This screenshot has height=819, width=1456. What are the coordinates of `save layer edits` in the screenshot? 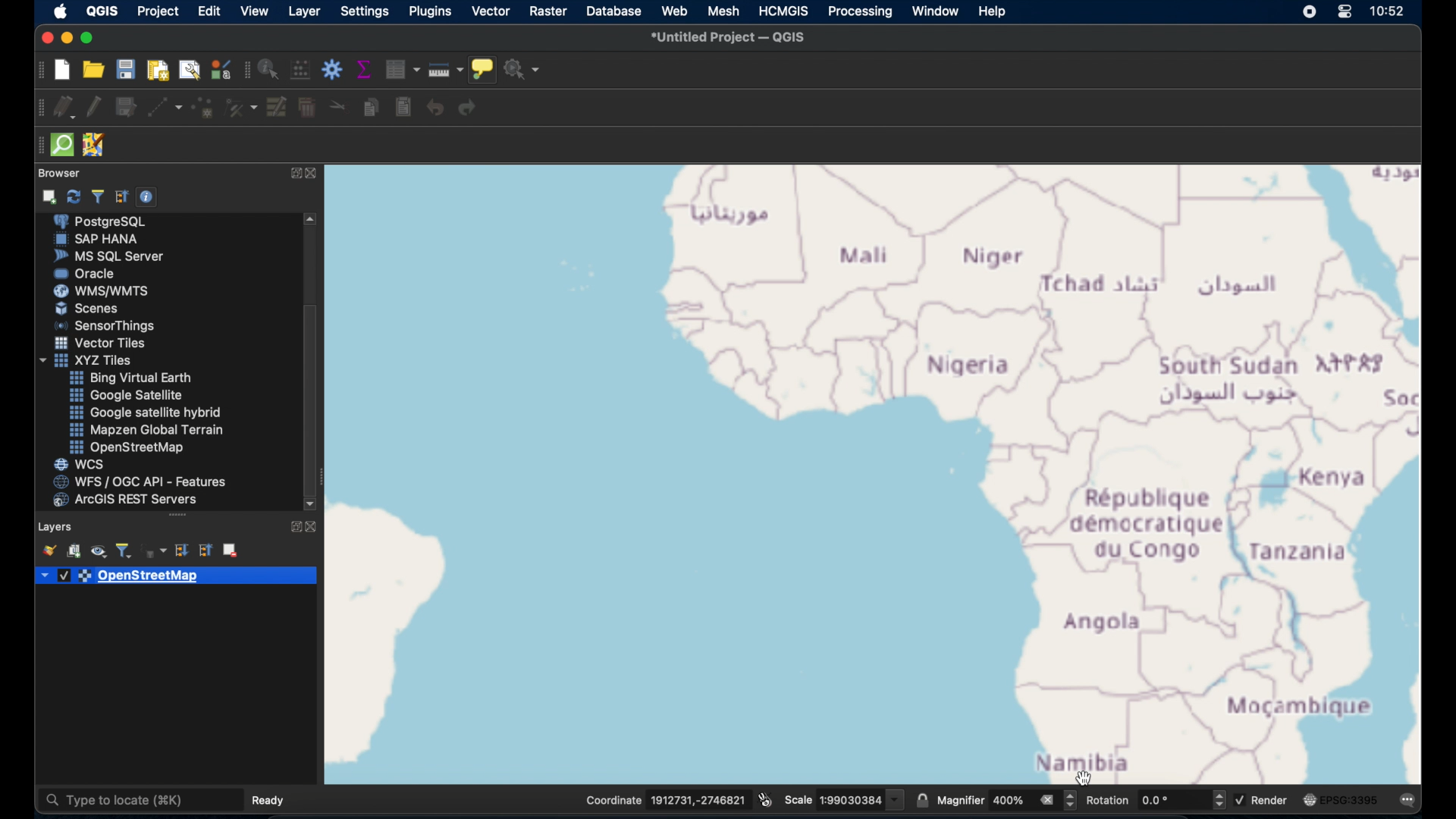 It's located at (127, 110).